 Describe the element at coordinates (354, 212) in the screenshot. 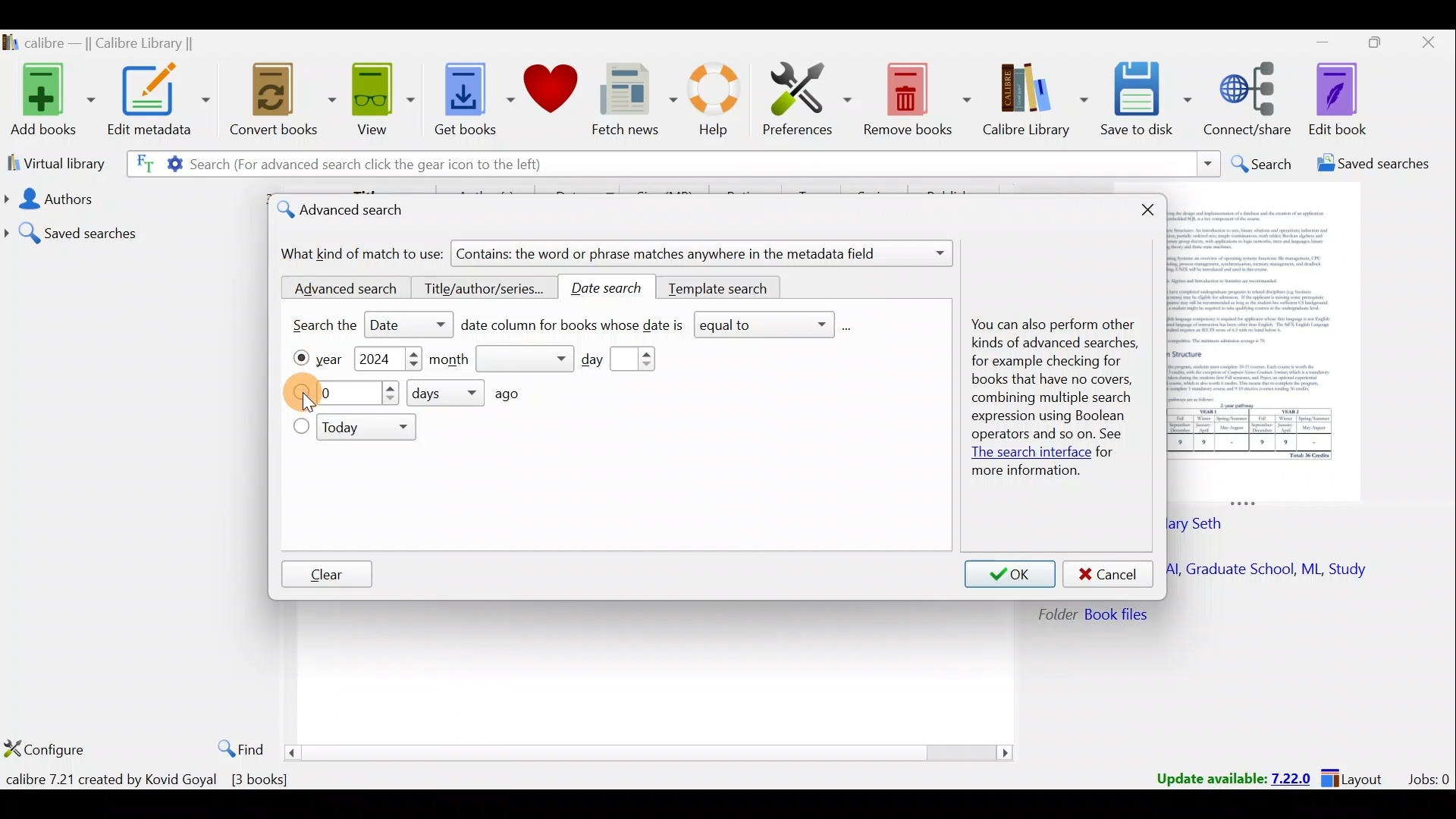

I see `Advanced search` at that location.